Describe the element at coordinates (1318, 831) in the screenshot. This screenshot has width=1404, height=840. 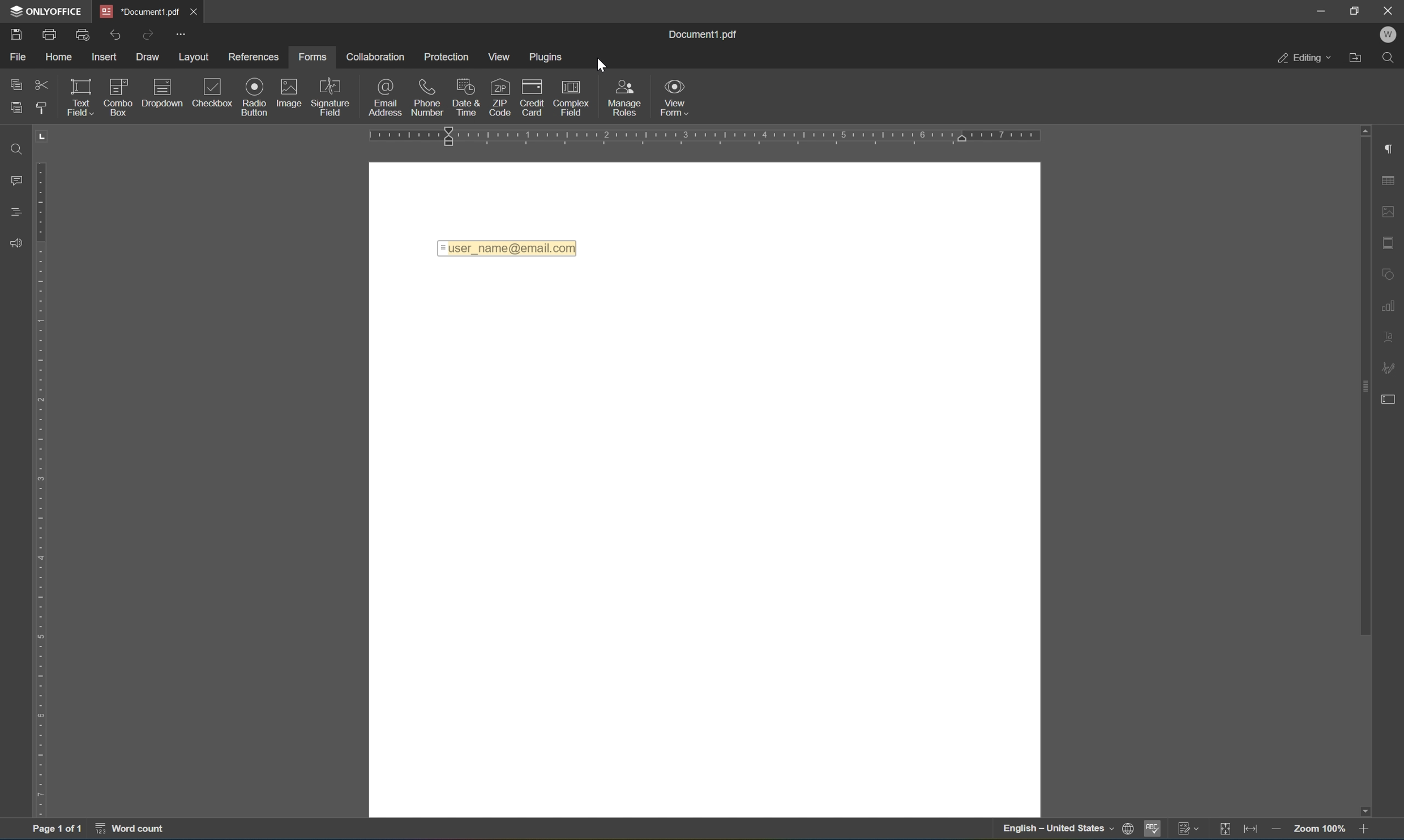
I see `zoom 100%` at that location.